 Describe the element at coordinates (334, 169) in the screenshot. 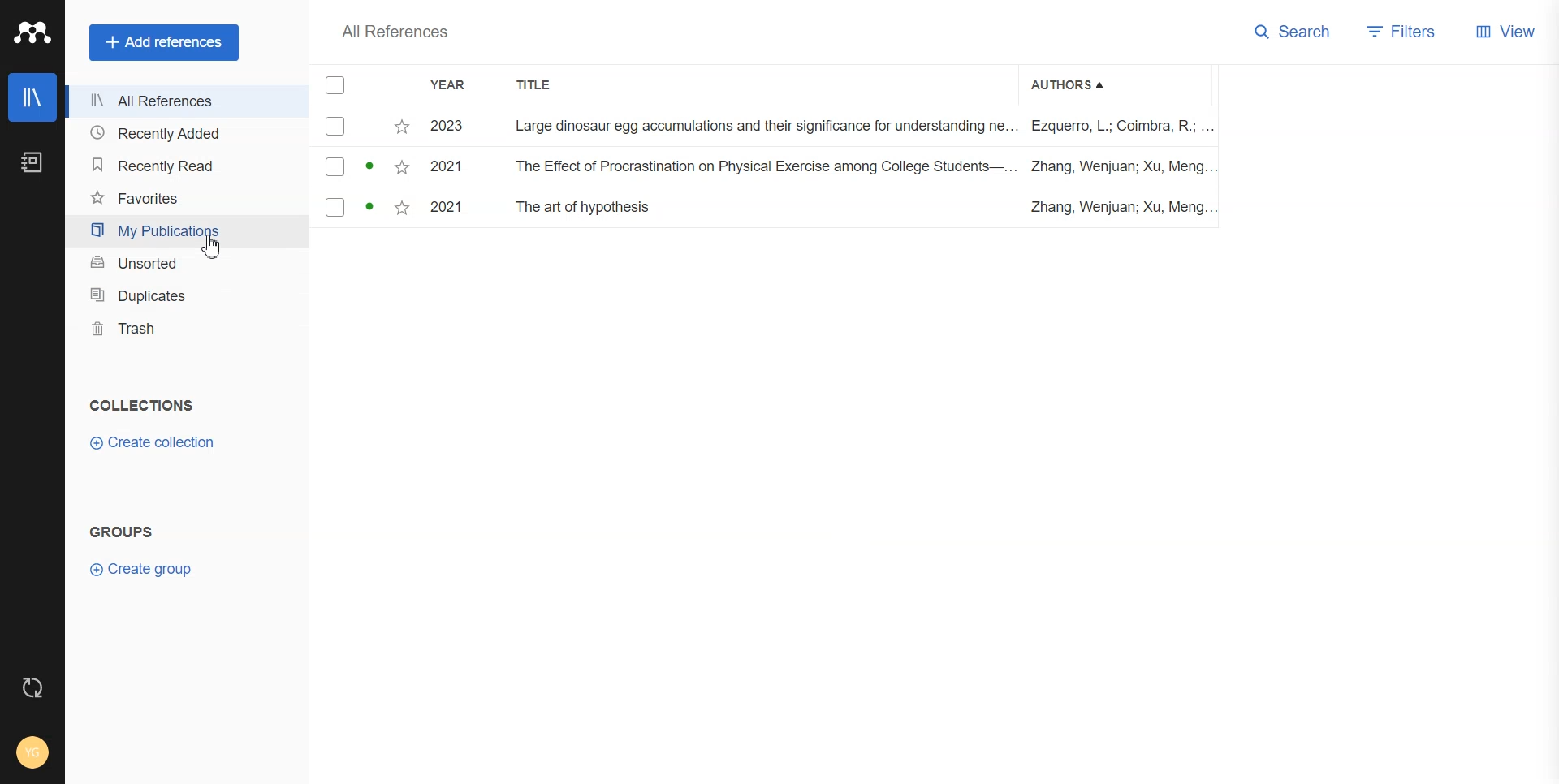

I see `Checkmark` at that location.